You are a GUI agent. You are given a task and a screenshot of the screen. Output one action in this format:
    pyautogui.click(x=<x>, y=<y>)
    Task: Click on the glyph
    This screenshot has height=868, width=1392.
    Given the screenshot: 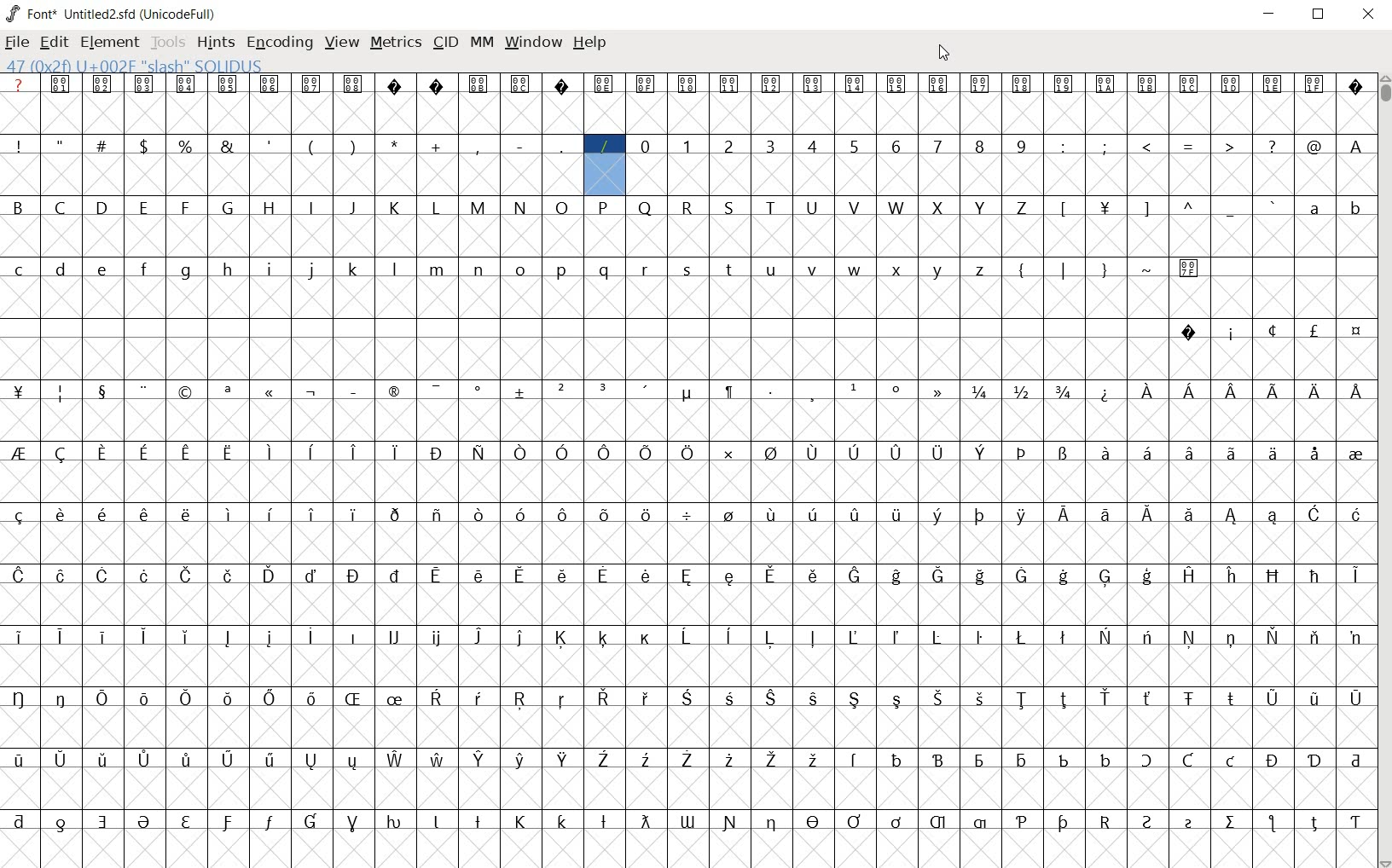 What is the action you would take?
    pyautogui.click(x=980, y=392)
    